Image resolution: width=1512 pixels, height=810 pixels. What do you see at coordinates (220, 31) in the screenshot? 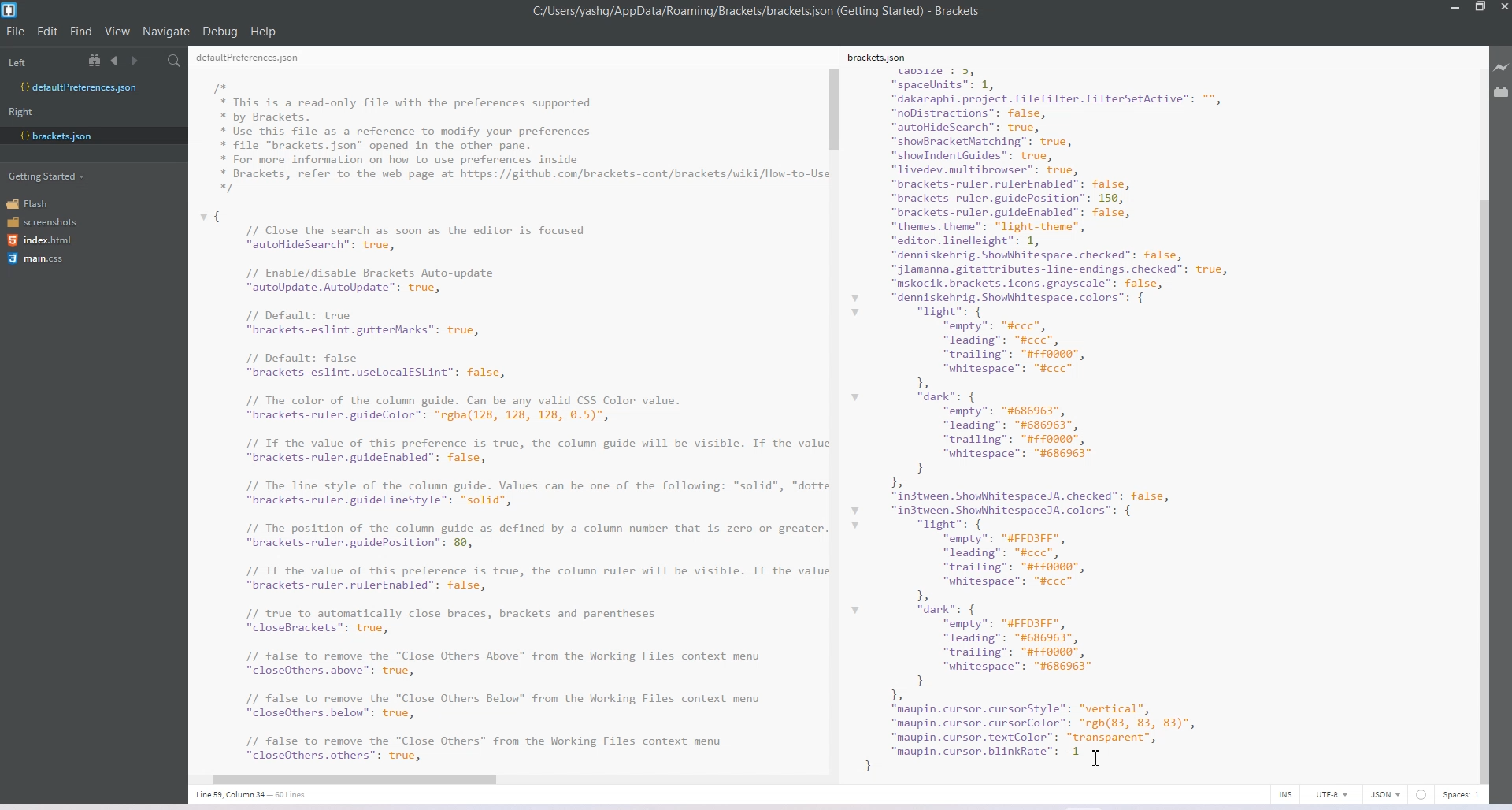
I see `Debug` at bounding box center [220, 31].